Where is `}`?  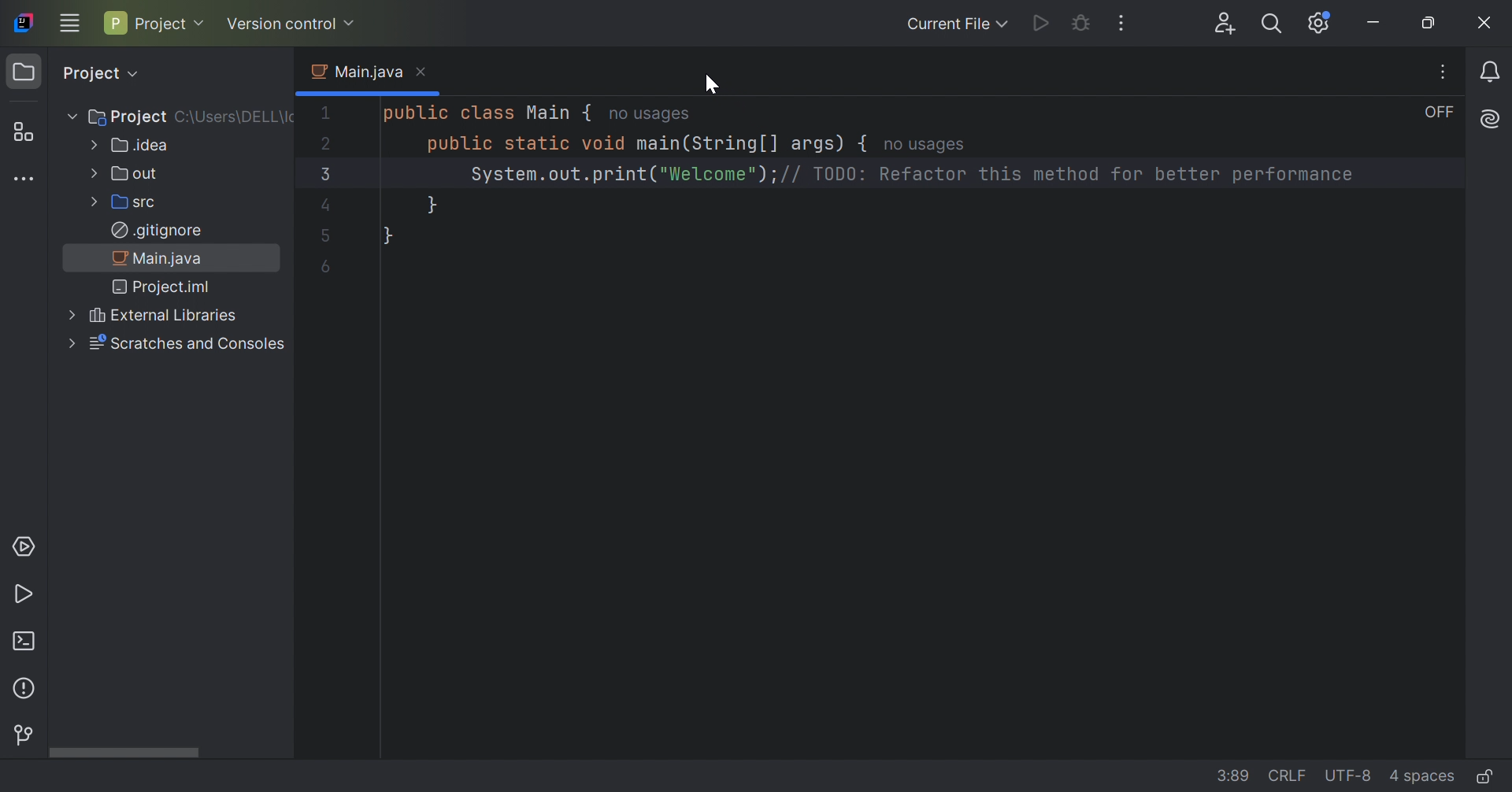
} is located at coordinates (387, 235).